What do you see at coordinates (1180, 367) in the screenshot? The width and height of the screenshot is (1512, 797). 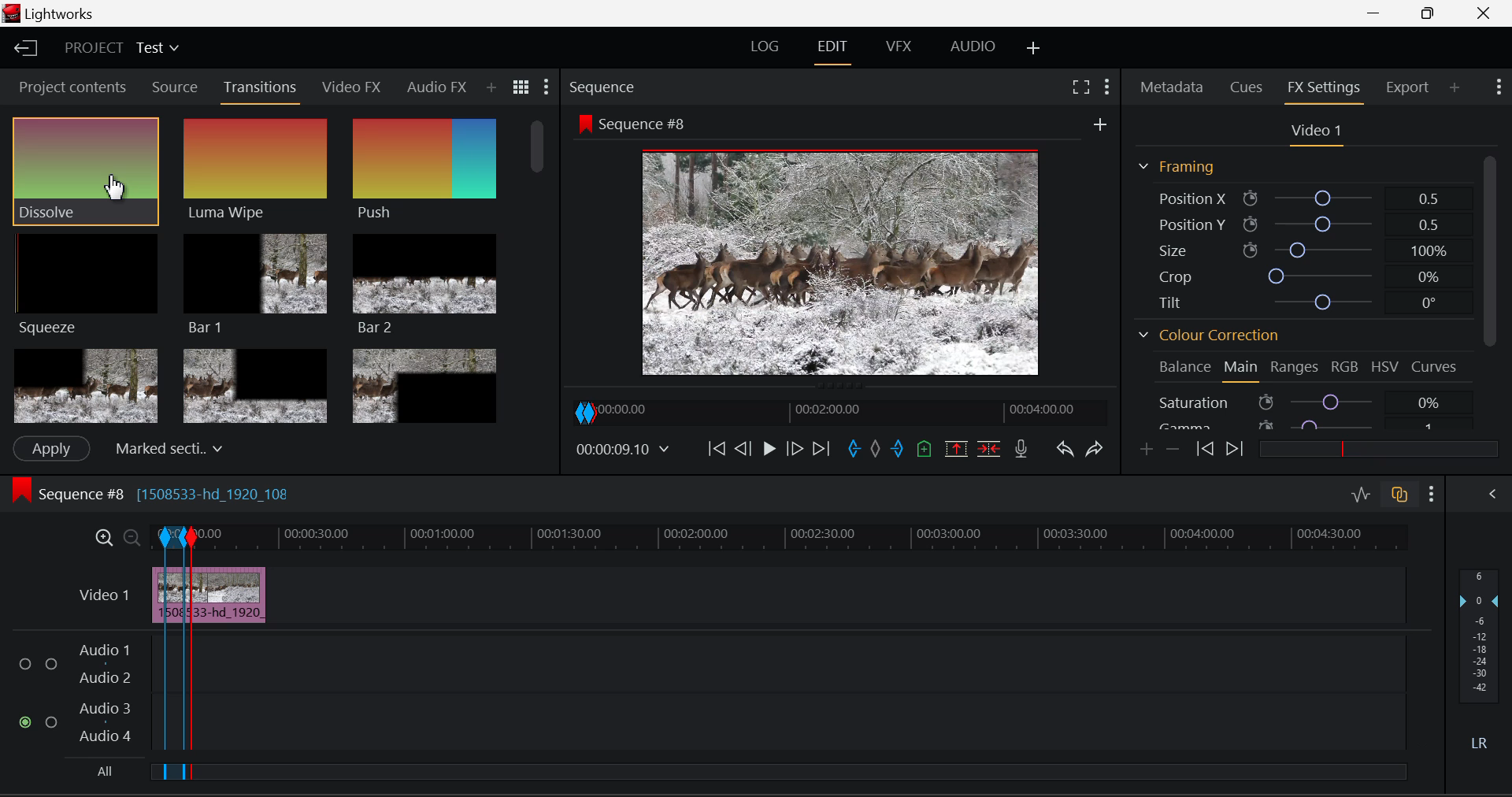 I see `Balance` at bounding box center [1180, 367].